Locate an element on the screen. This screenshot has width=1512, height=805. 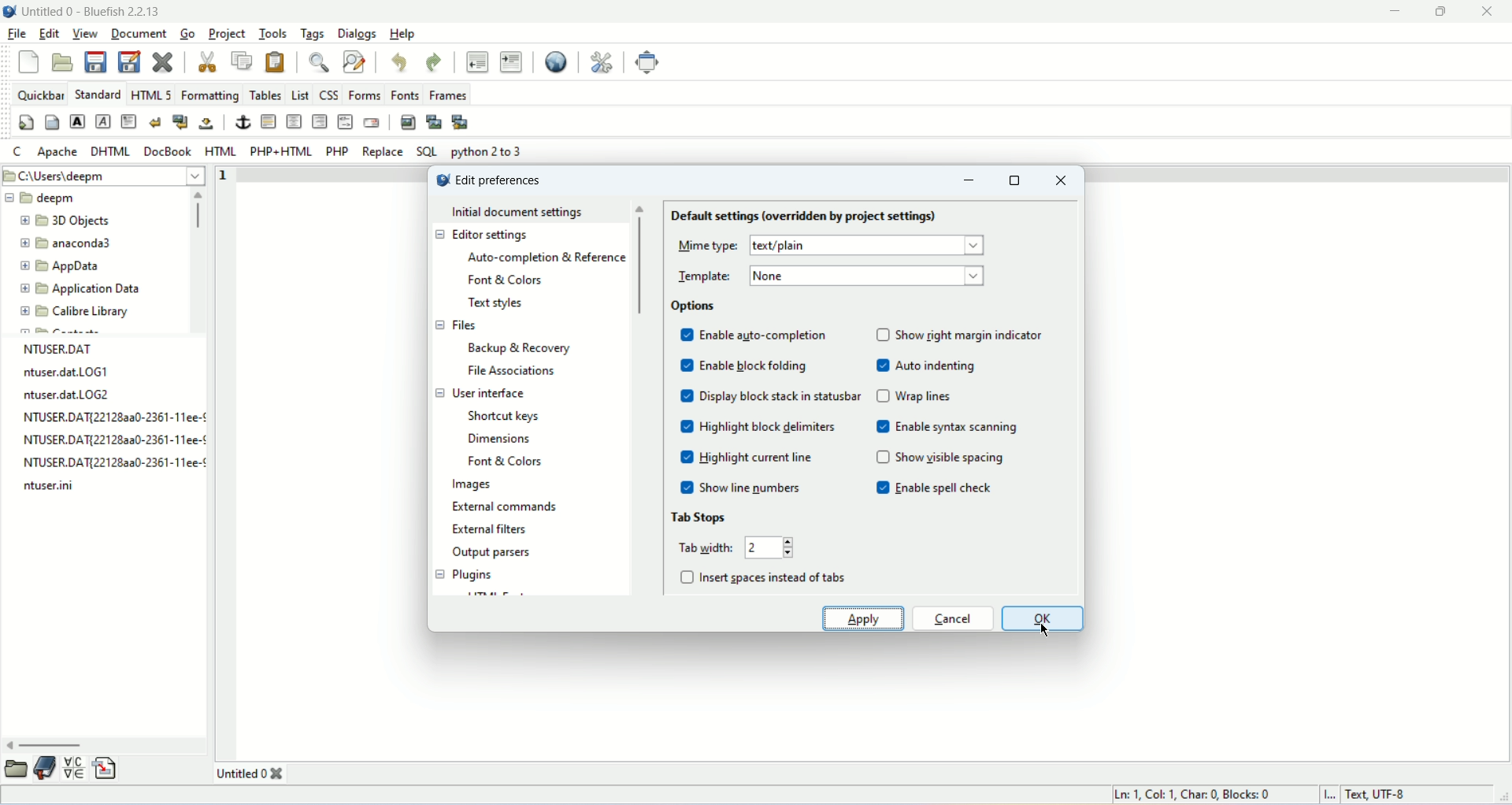
quickbar is located at coordinates (40, 93).